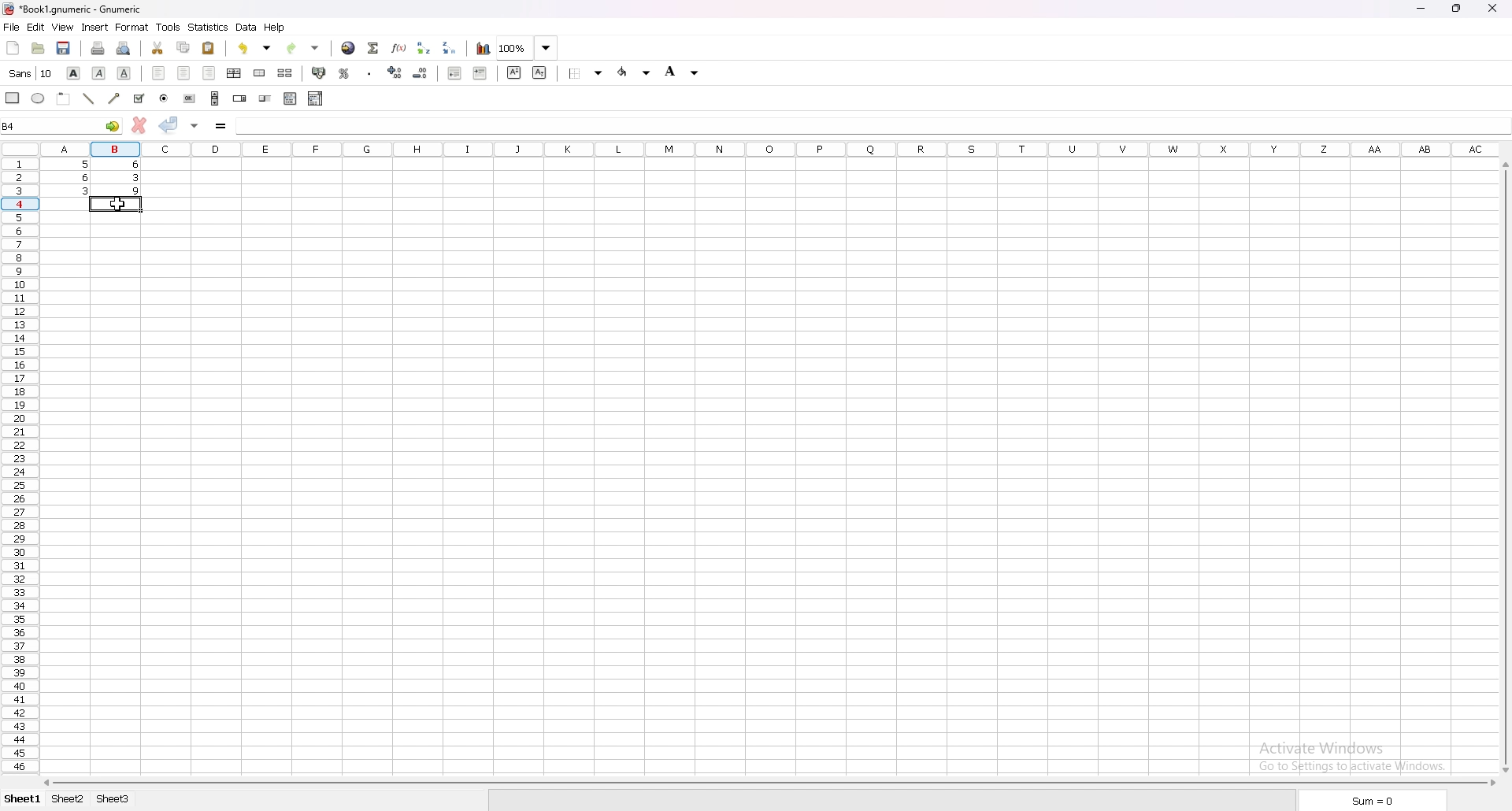 Image resolution: width=1512 pixels, height=811 pixels. Describe the element at coordinates (38, 98) in the screenshot. I see `ellipse` at that location.